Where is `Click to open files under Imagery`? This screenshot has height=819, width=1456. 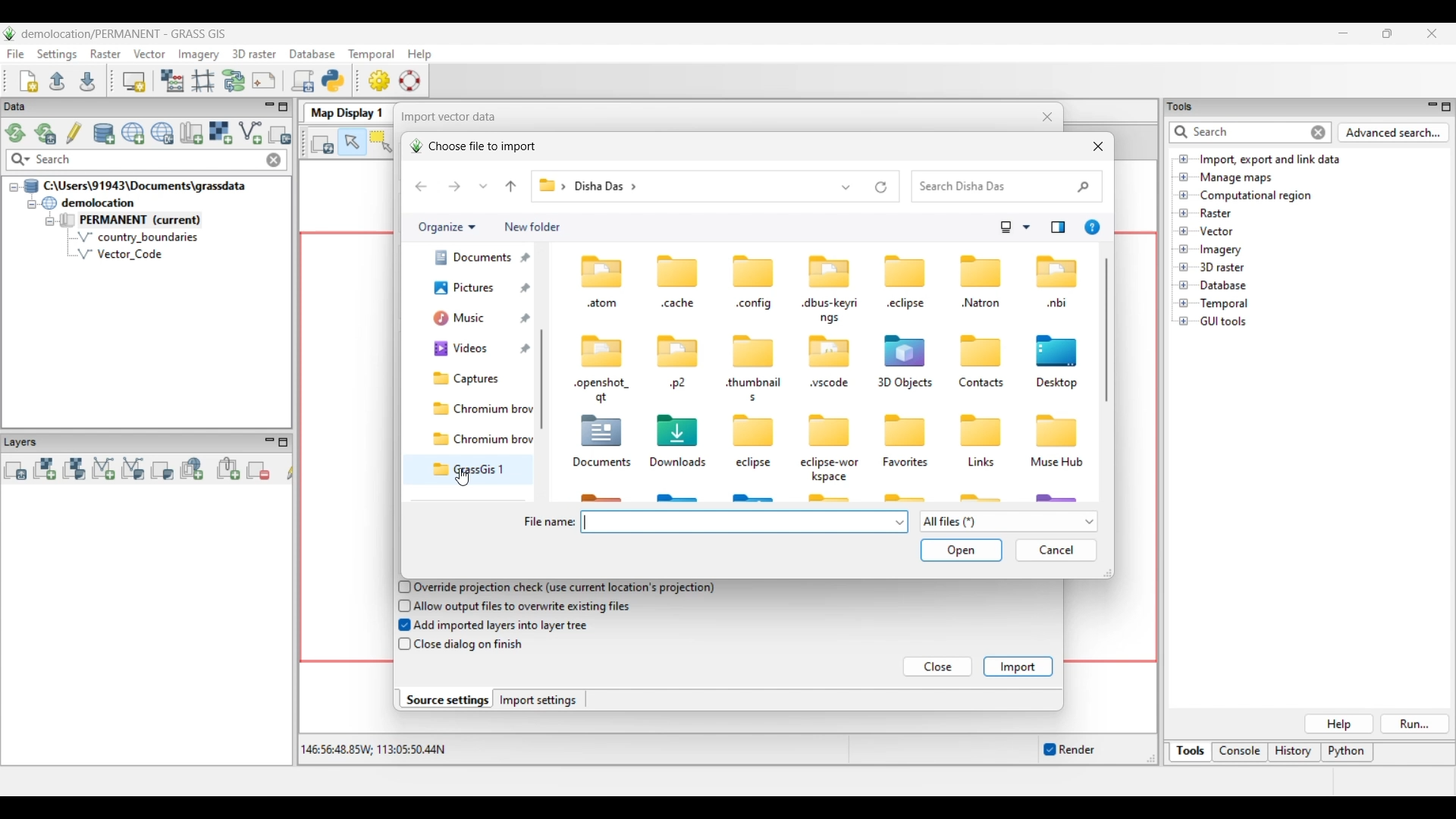
Click to open files under Imagery is located at coordinates (1183, 249).